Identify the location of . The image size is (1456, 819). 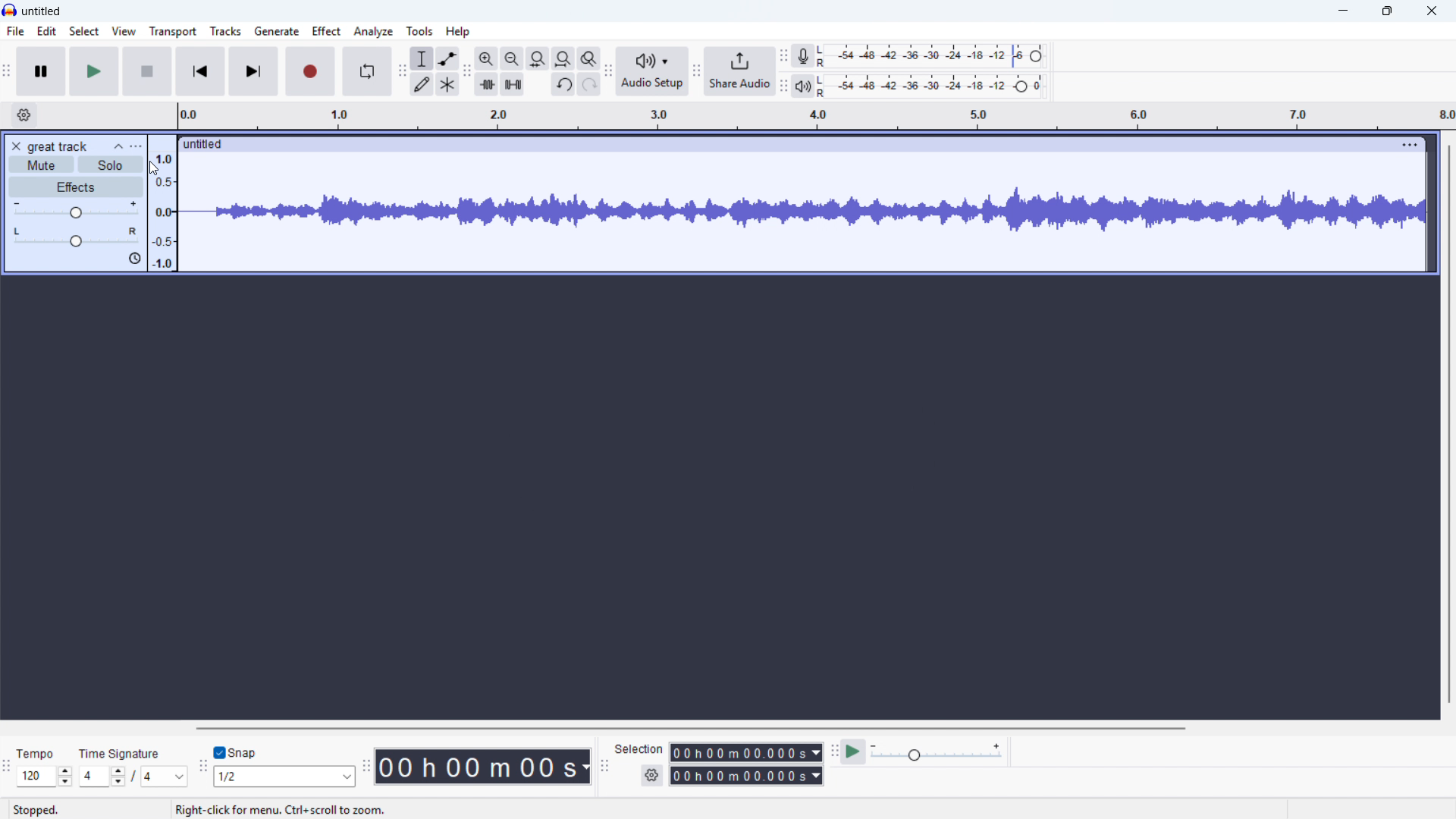
(563, 59).